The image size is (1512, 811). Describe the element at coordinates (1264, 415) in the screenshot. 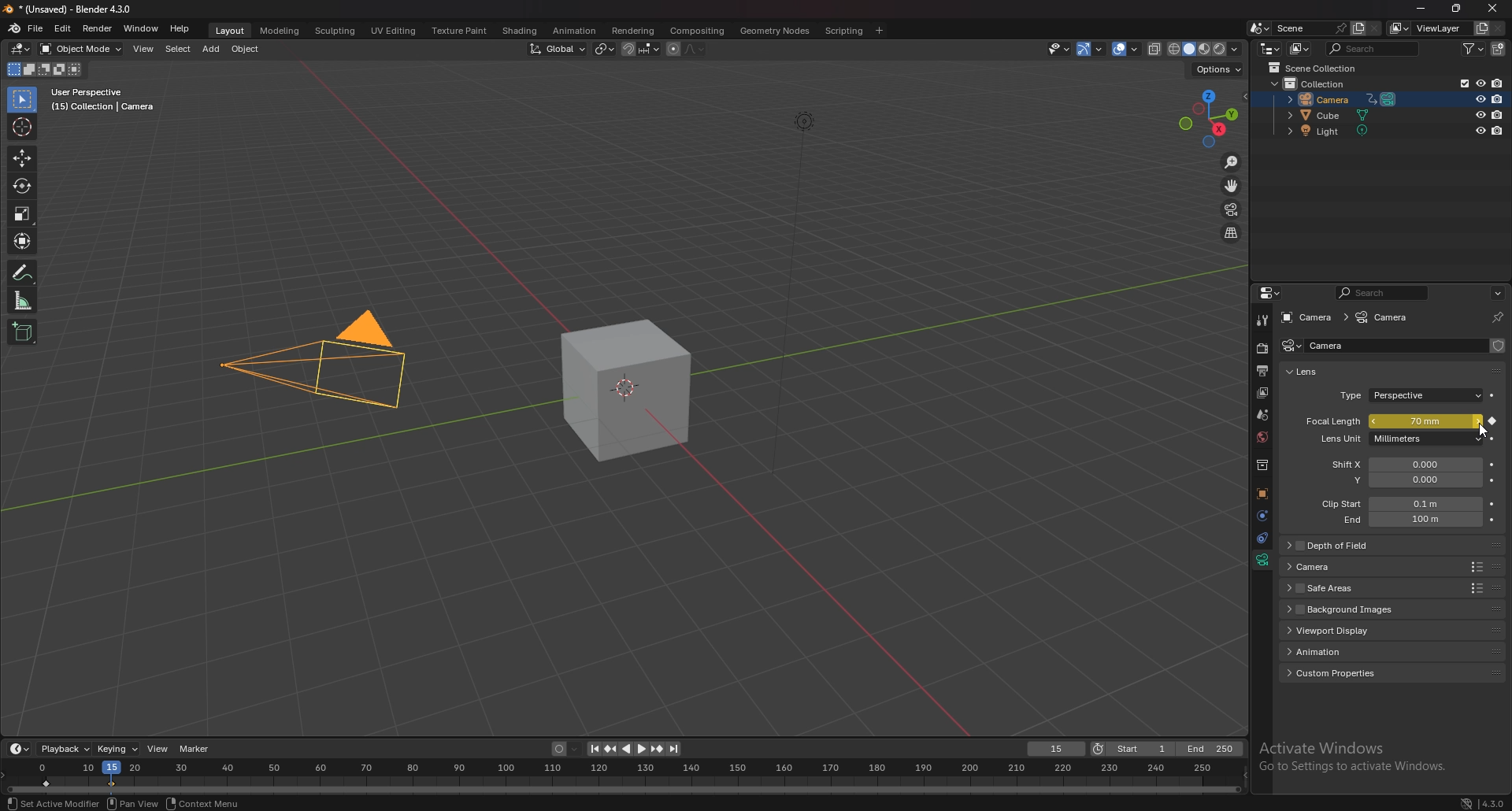

I see `scene` at that location.